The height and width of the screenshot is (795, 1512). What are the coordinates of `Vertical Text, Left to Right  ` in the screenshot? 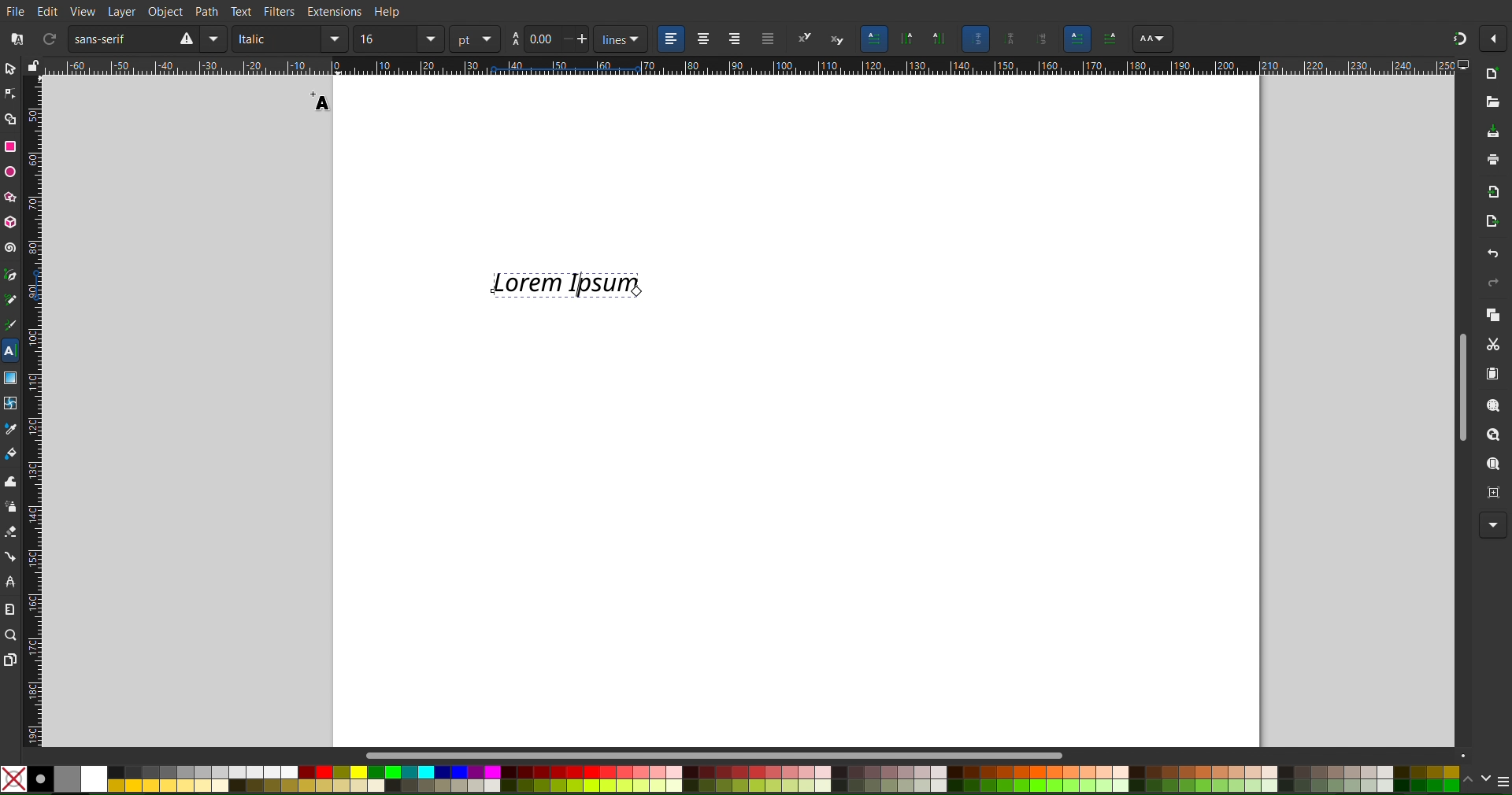 It's located at (938, 40).